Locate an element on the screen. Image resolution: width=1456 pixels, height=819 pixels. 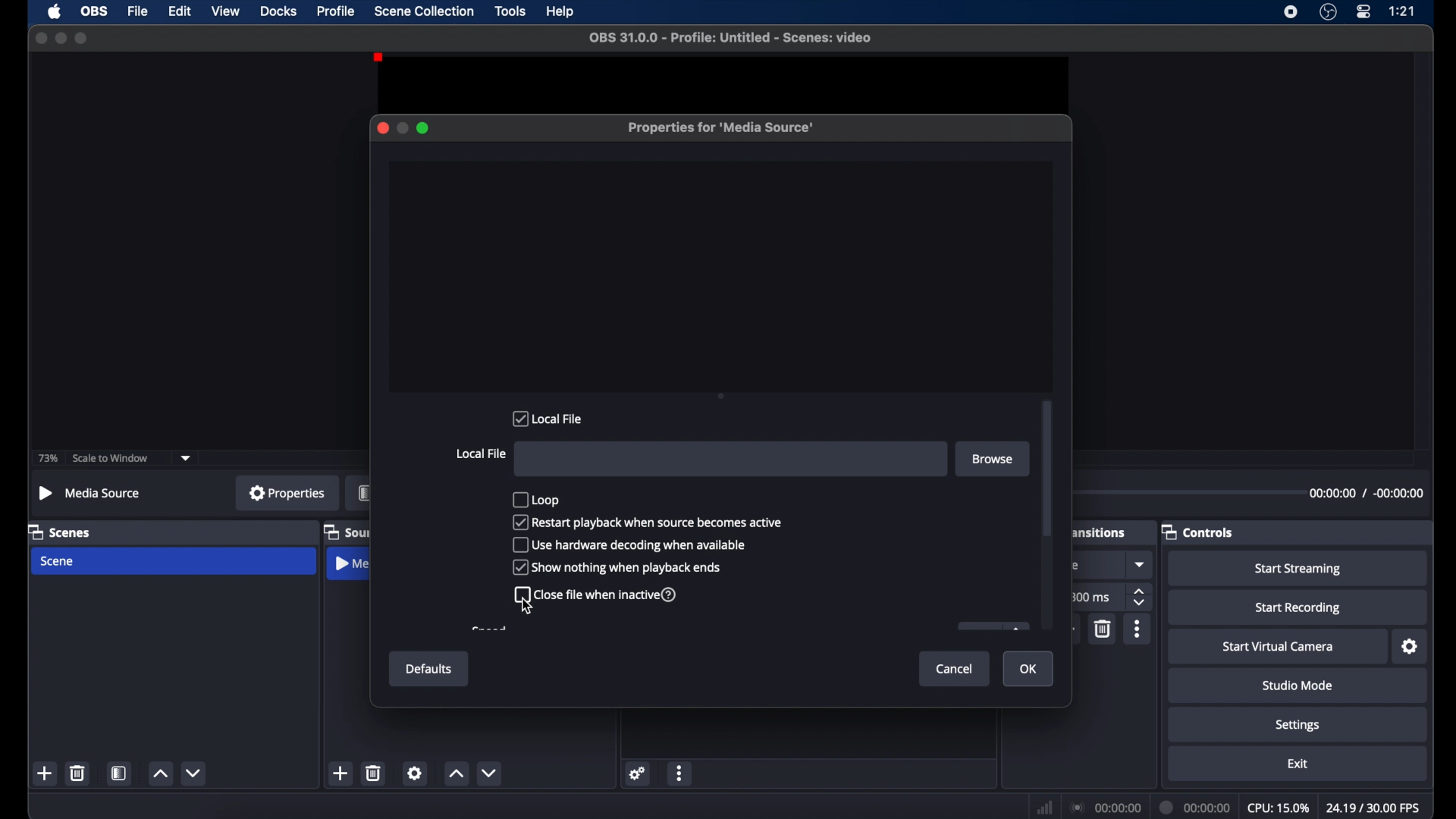
decrement is located at coordinates (491, 772).